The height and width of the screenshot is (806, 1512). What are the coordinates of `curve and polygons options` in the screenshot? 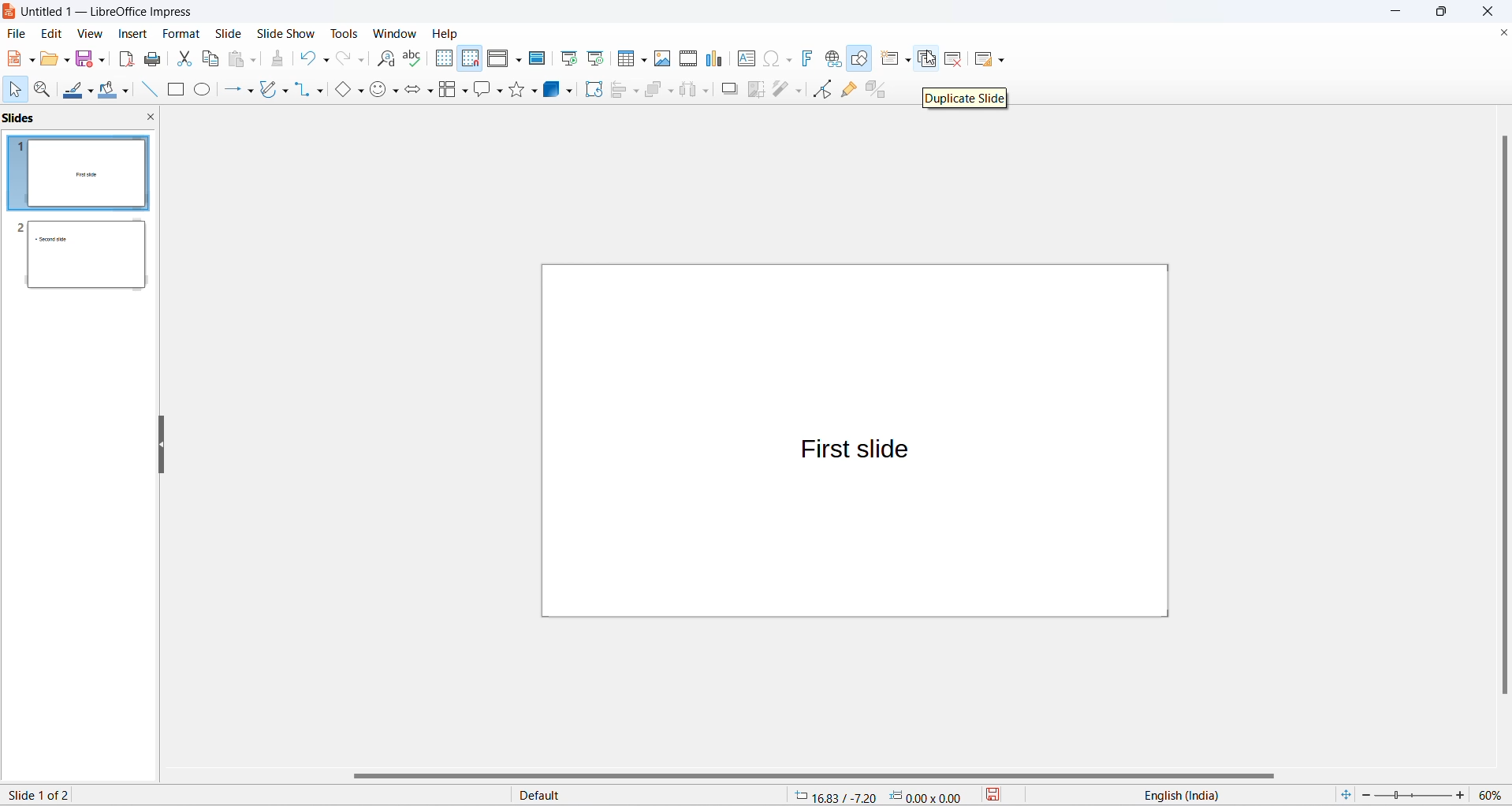 It's located at (285, 91).